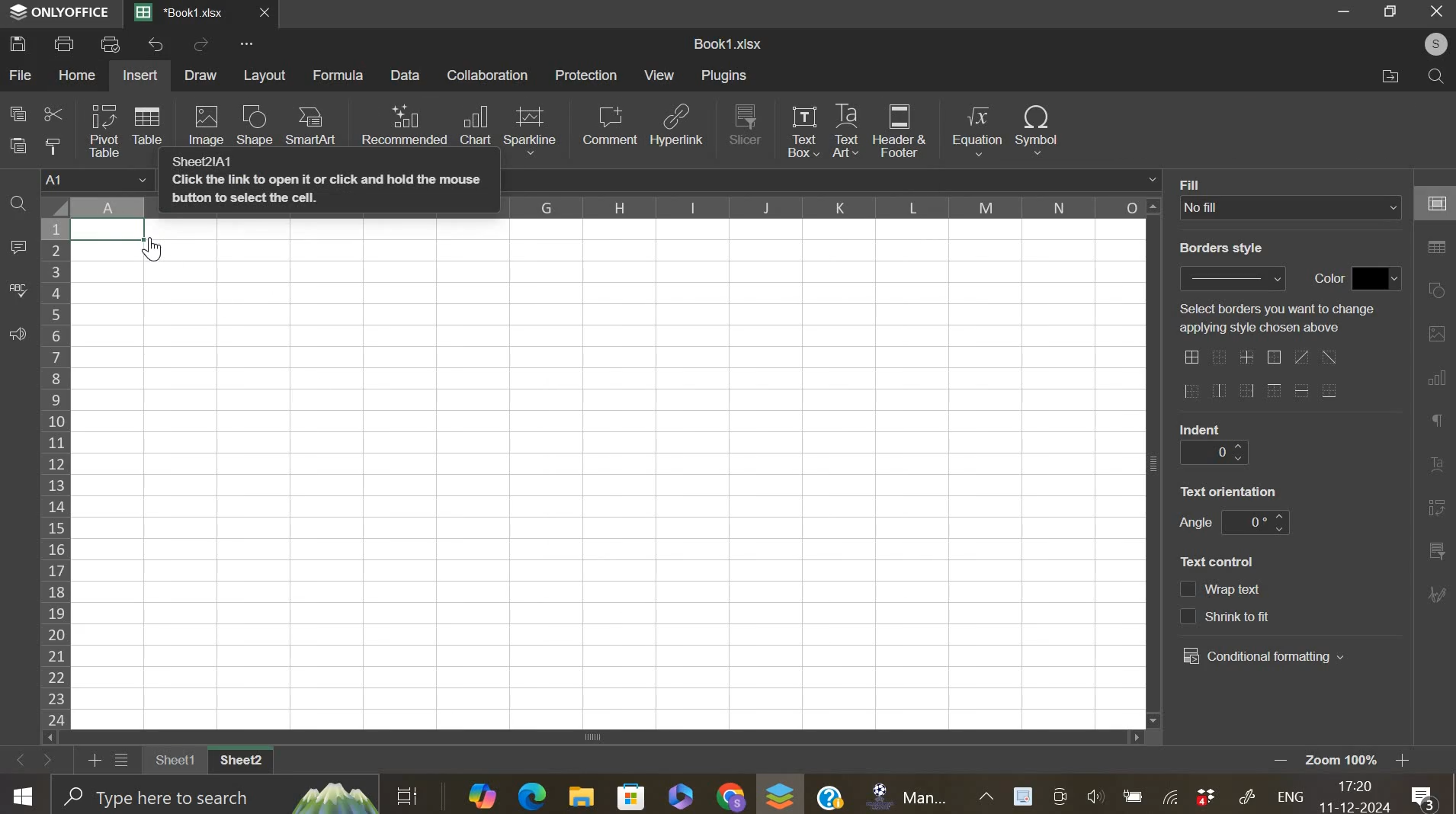 This screenshot has height=814, width=1456. What do you see at coordinates (1432, 76) in the screenshot?
I see `find` at bounding box center [1432, 76].